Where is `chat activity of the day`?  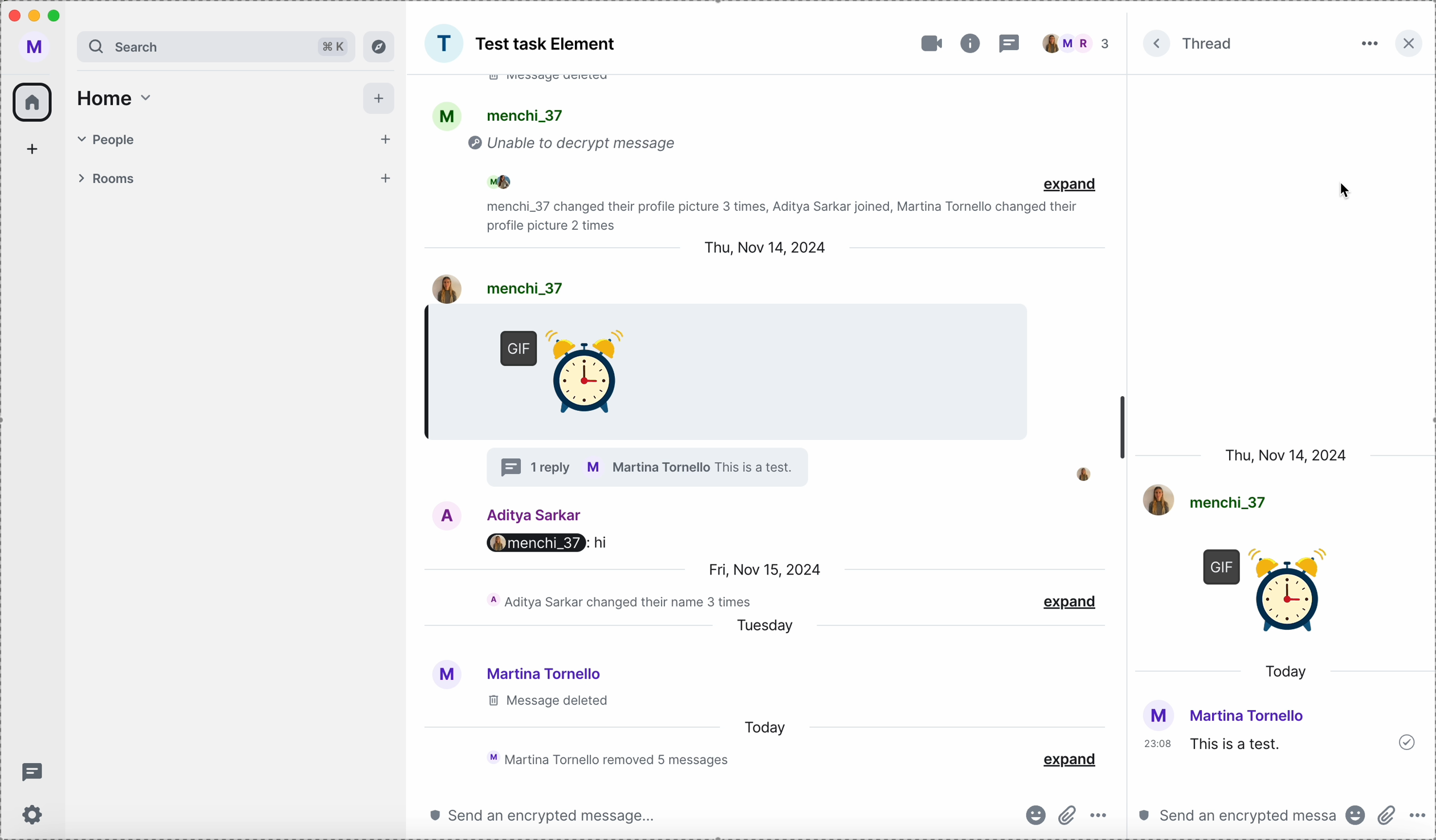
chat activity of the day is located at coordinates (618, 601).